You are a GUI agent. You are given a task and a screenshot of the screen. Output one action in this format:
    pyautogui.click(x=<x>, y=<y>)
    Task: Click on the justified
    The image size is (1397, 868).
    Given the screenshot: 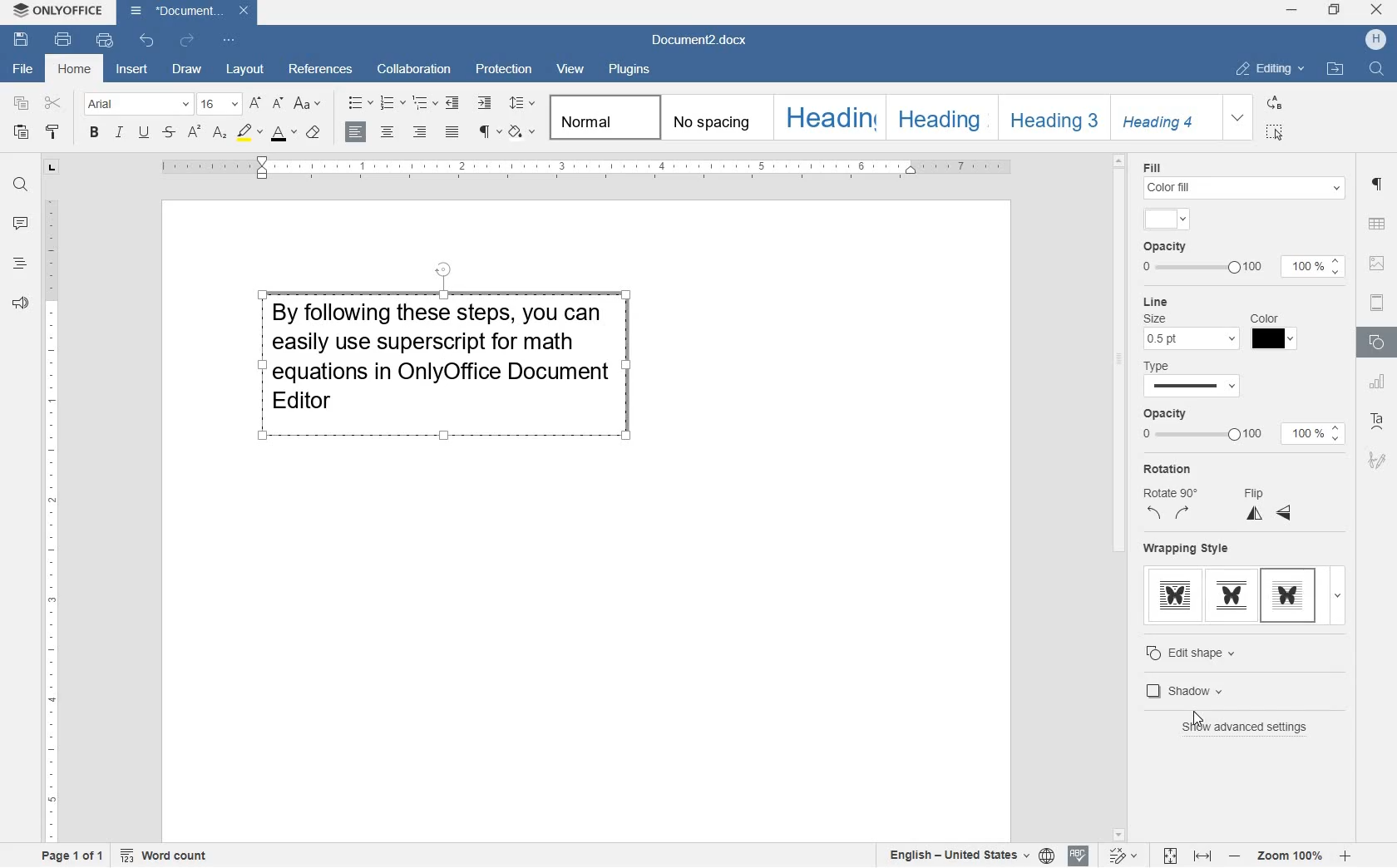 What is the action you would take?
    pyautogui.click(x=455, y=131)
    